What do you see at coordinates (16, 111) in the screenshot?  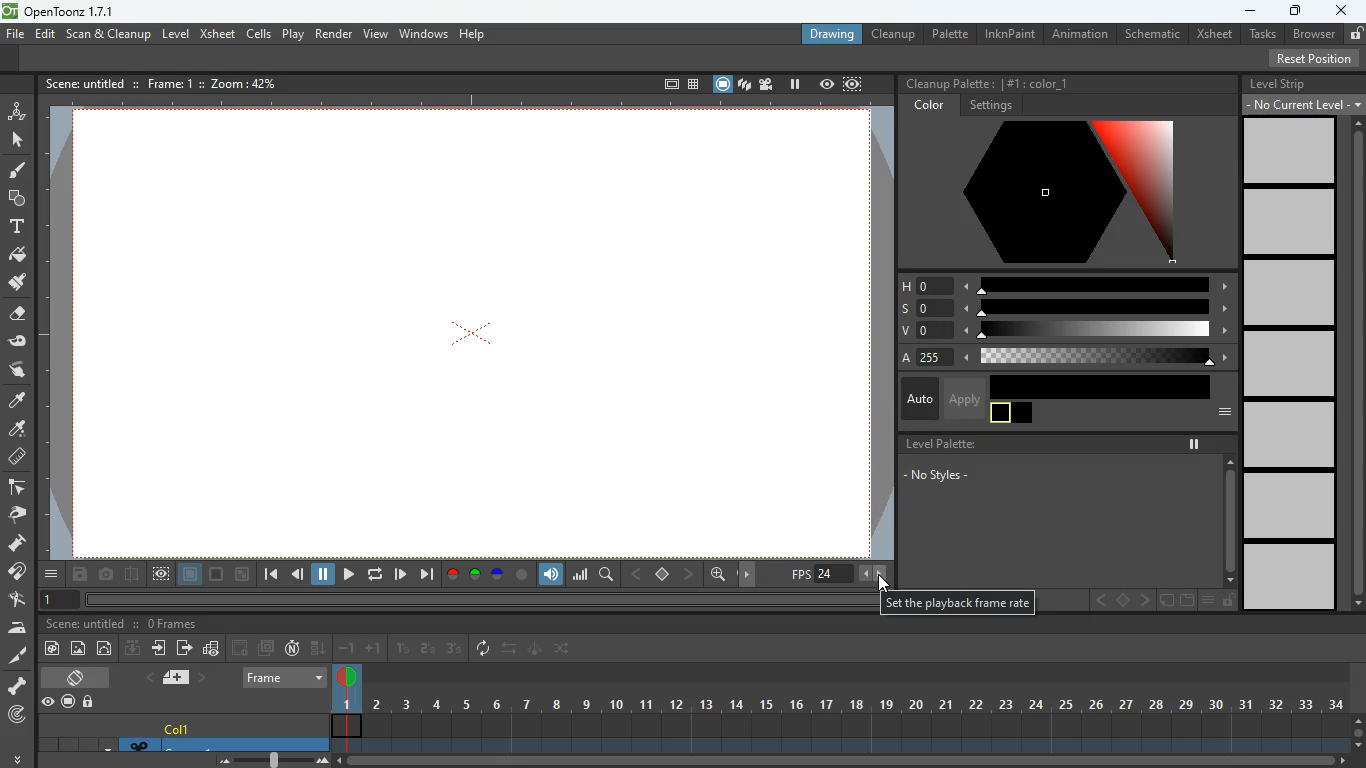 I see `animate` at bounding box center [16, 111].